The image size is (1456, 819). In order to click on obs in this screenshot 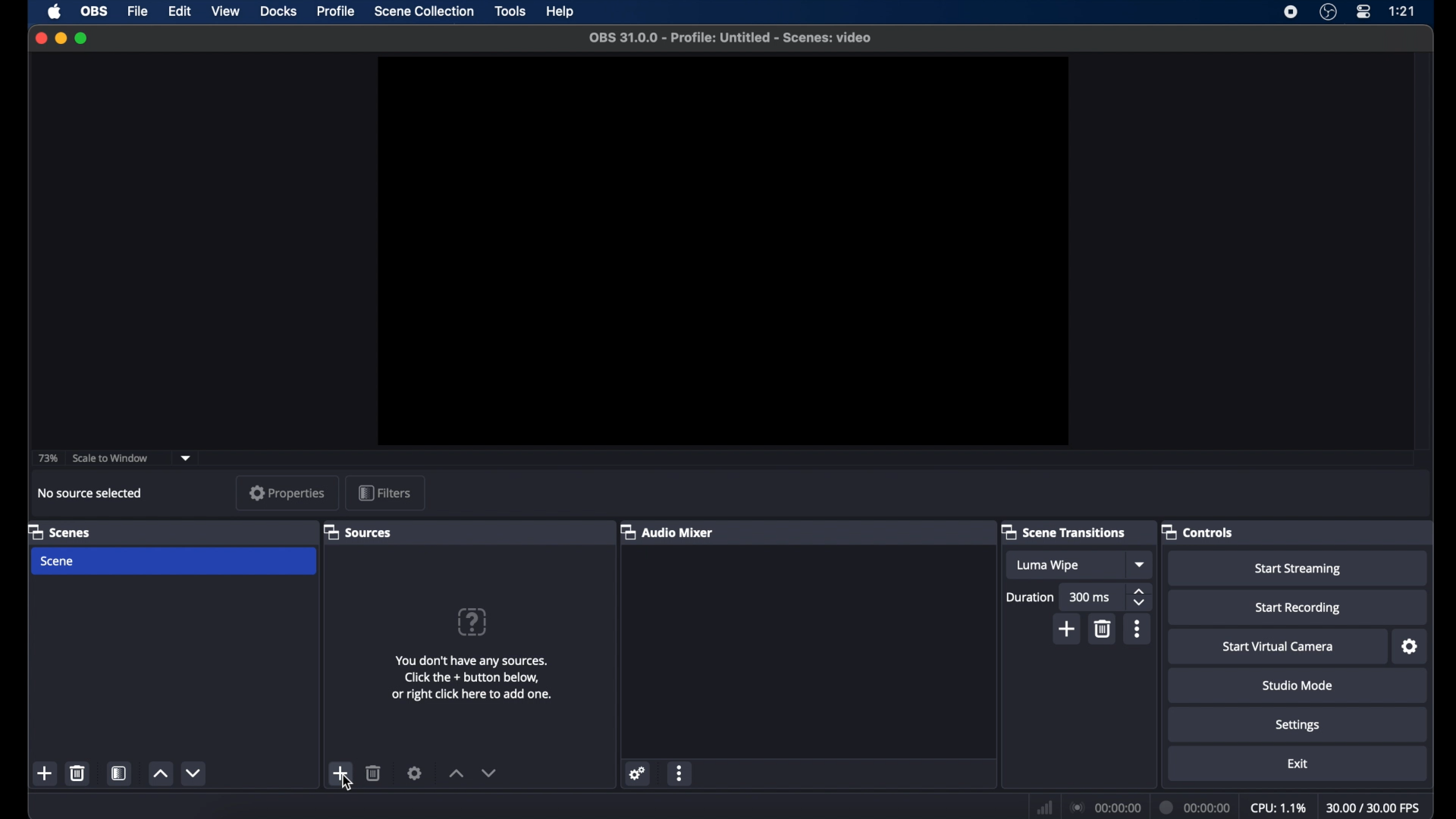, I will do `click(95, 11)`.